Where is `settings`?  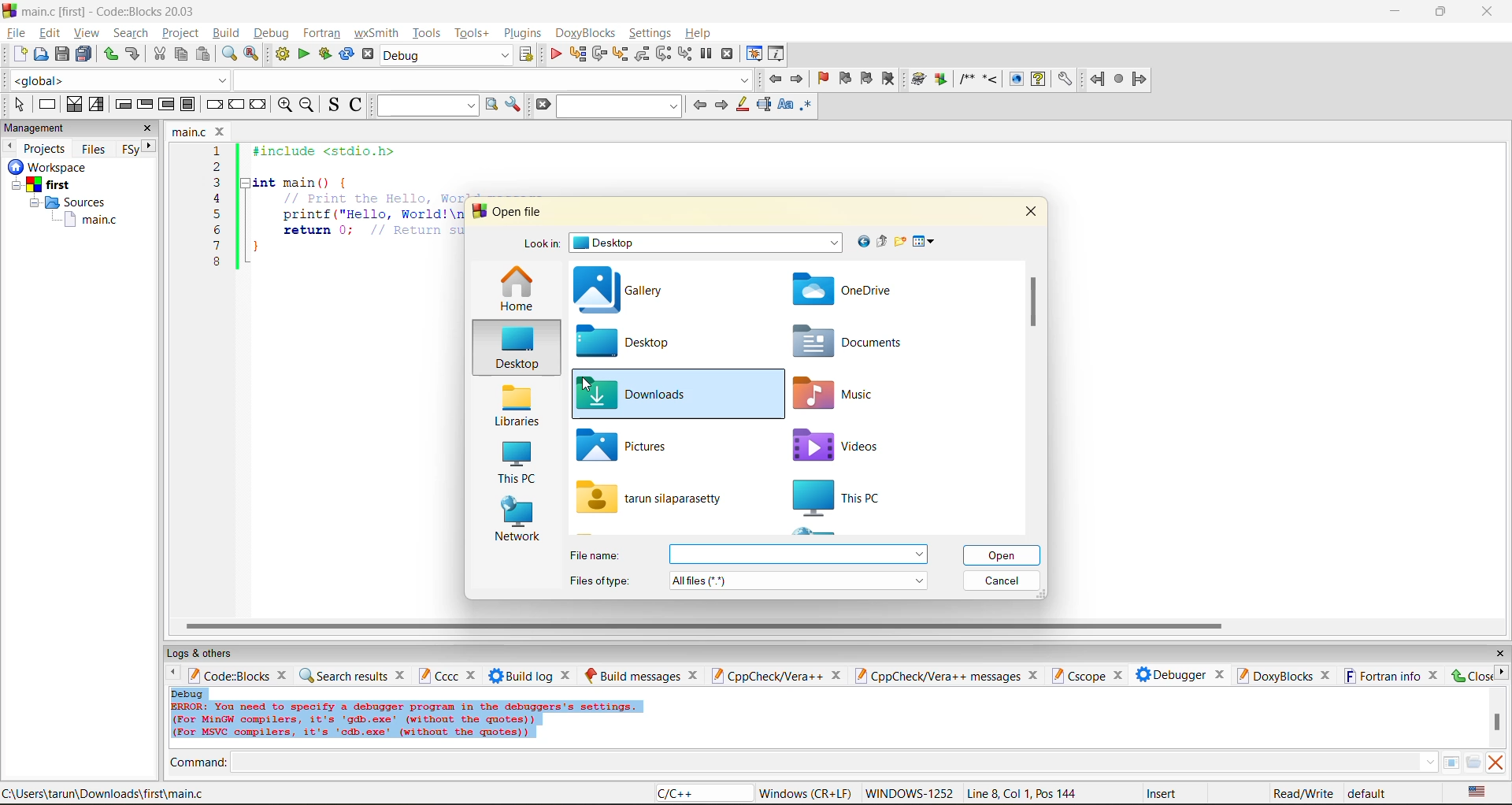
settings is located at coordinates (651, 33).